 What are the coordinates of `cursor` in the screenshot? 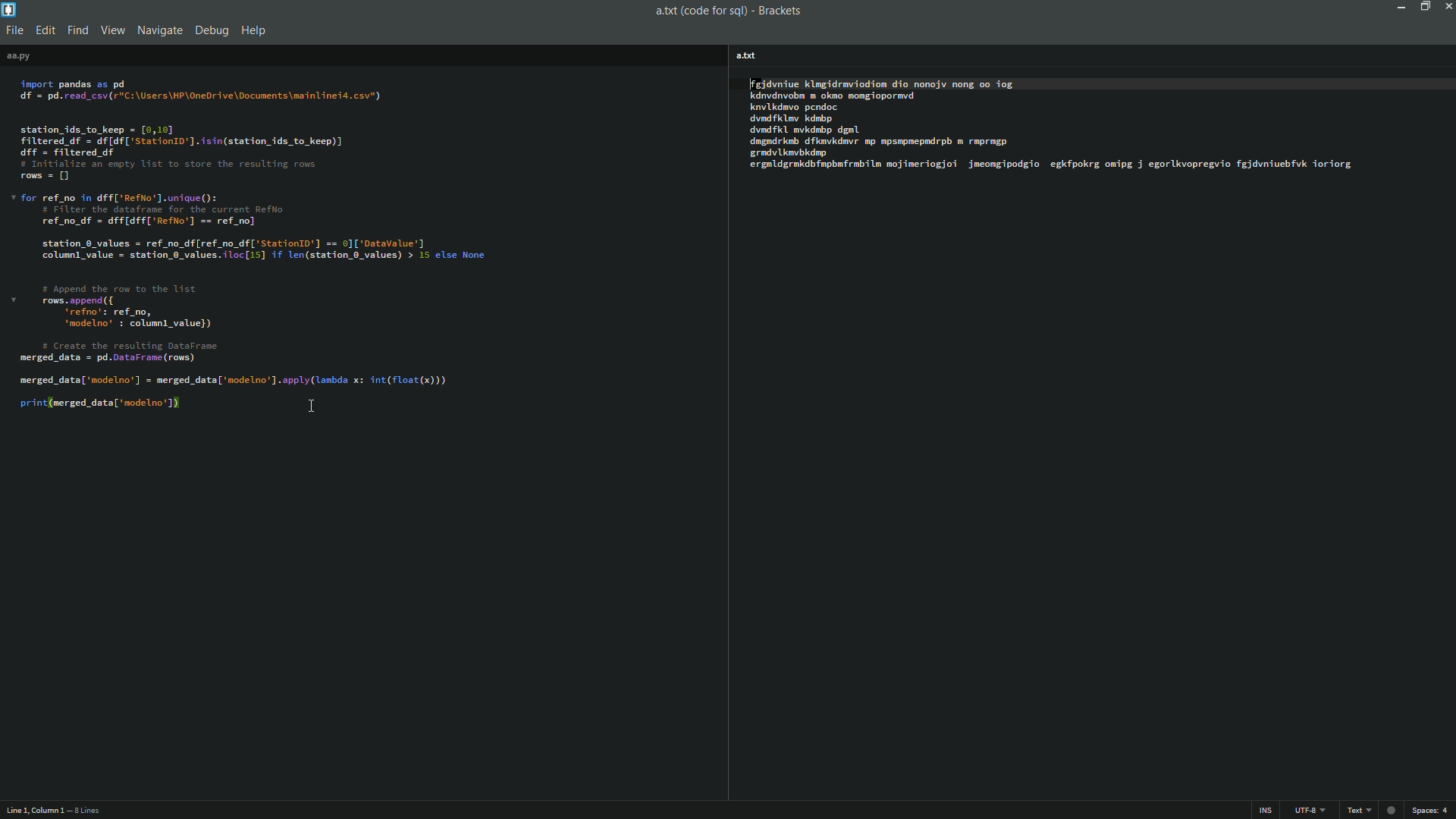 It's located at (180, 401).